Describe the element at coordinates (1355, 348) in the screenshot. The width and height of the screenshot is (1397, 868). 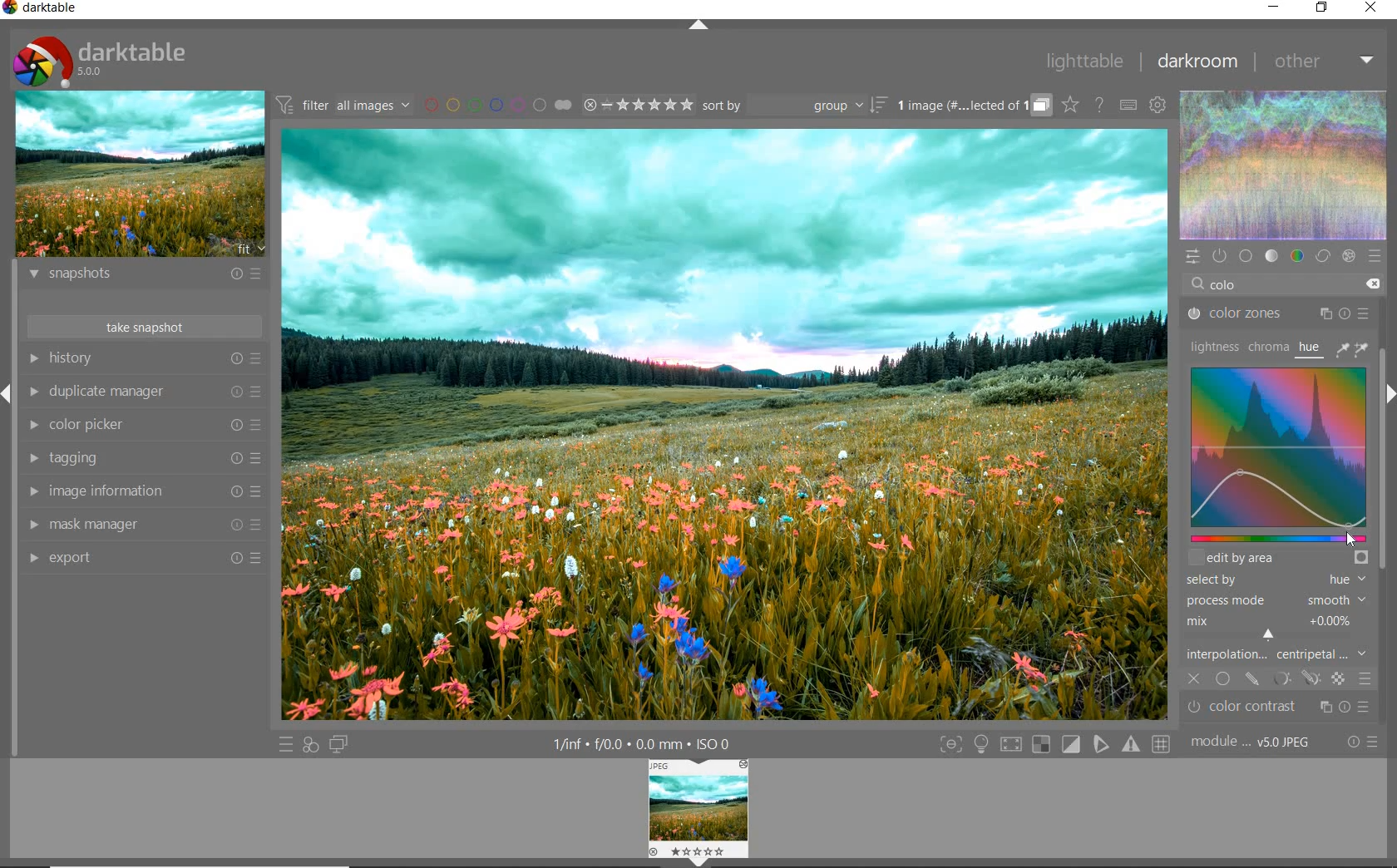
I see `picker tools` at that location.